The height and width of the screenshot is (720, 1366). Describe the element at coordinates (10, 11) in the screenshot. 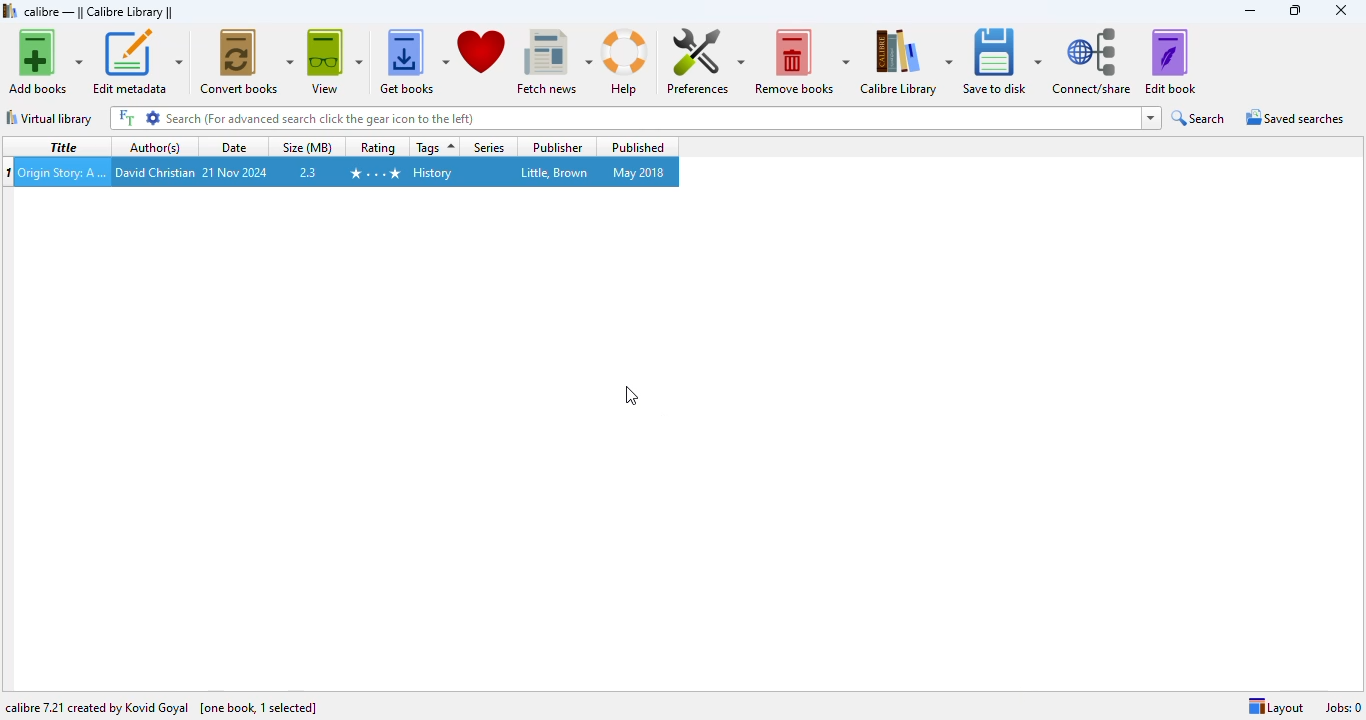

I see `logo` at that location.